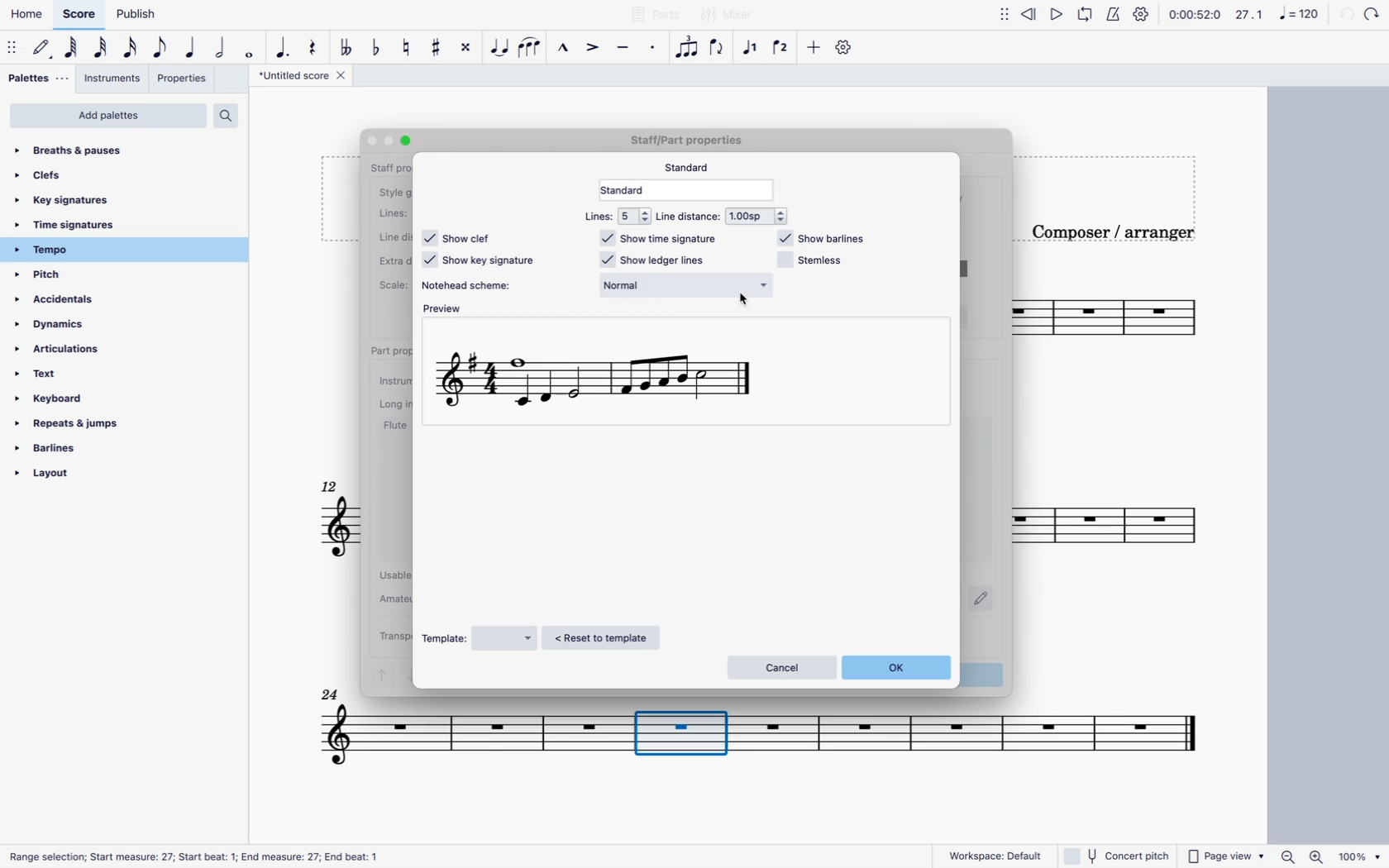 The height and width of the screenshot is (868, 1389). What do you see at coordinates (654, 48) in the screenshot?
I see `staccato` at bounding box center [654, 48].